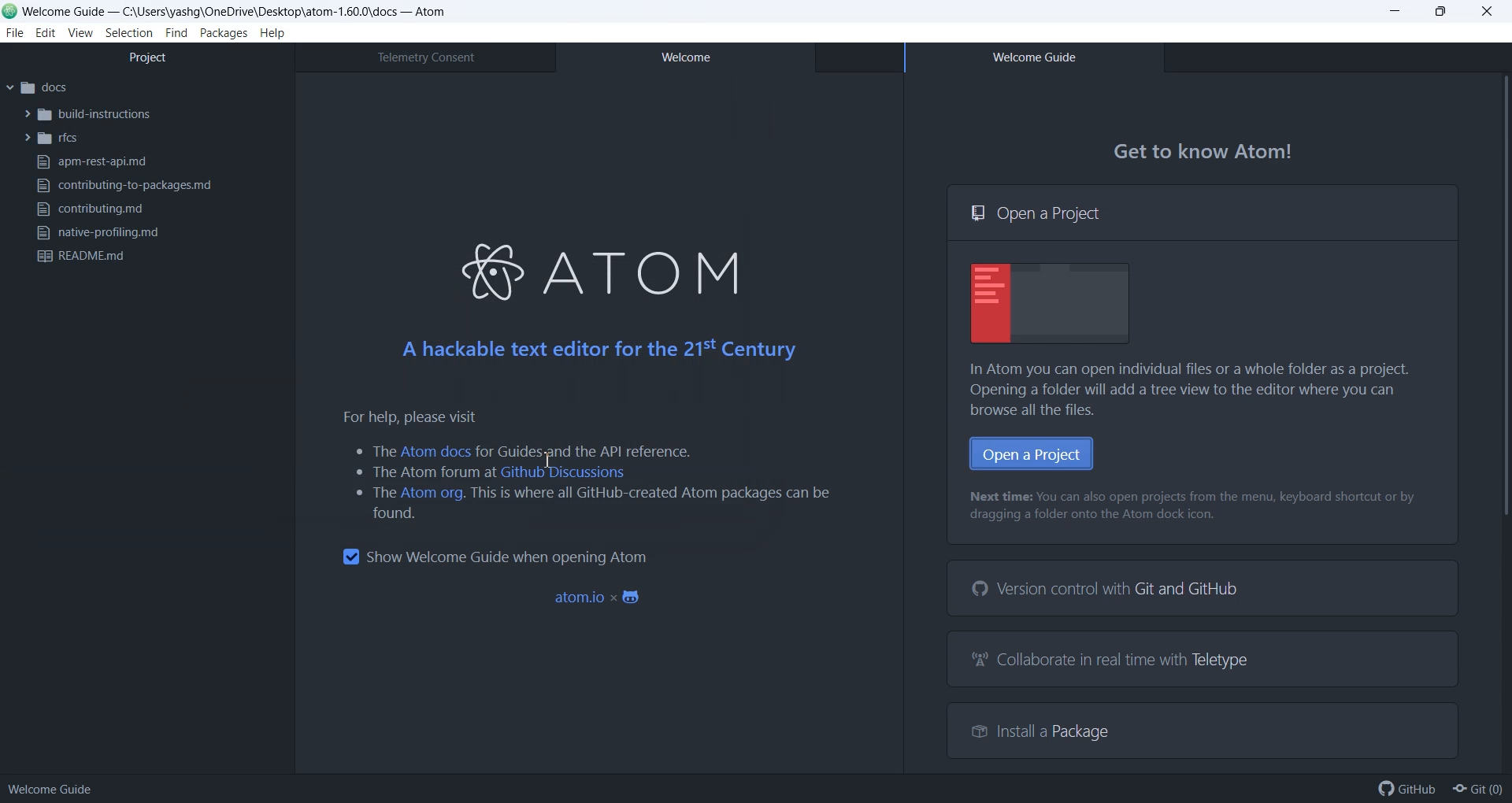 The image size is (1512, 803). What do you see at coordinates (1197, 390) in the screenshot?
I see `In Atom you can open individual files or a whole folder as a project.
Opening a folder will add a tree view to the editor where you can
browse all the files.` at bounding box center [1197, 390].